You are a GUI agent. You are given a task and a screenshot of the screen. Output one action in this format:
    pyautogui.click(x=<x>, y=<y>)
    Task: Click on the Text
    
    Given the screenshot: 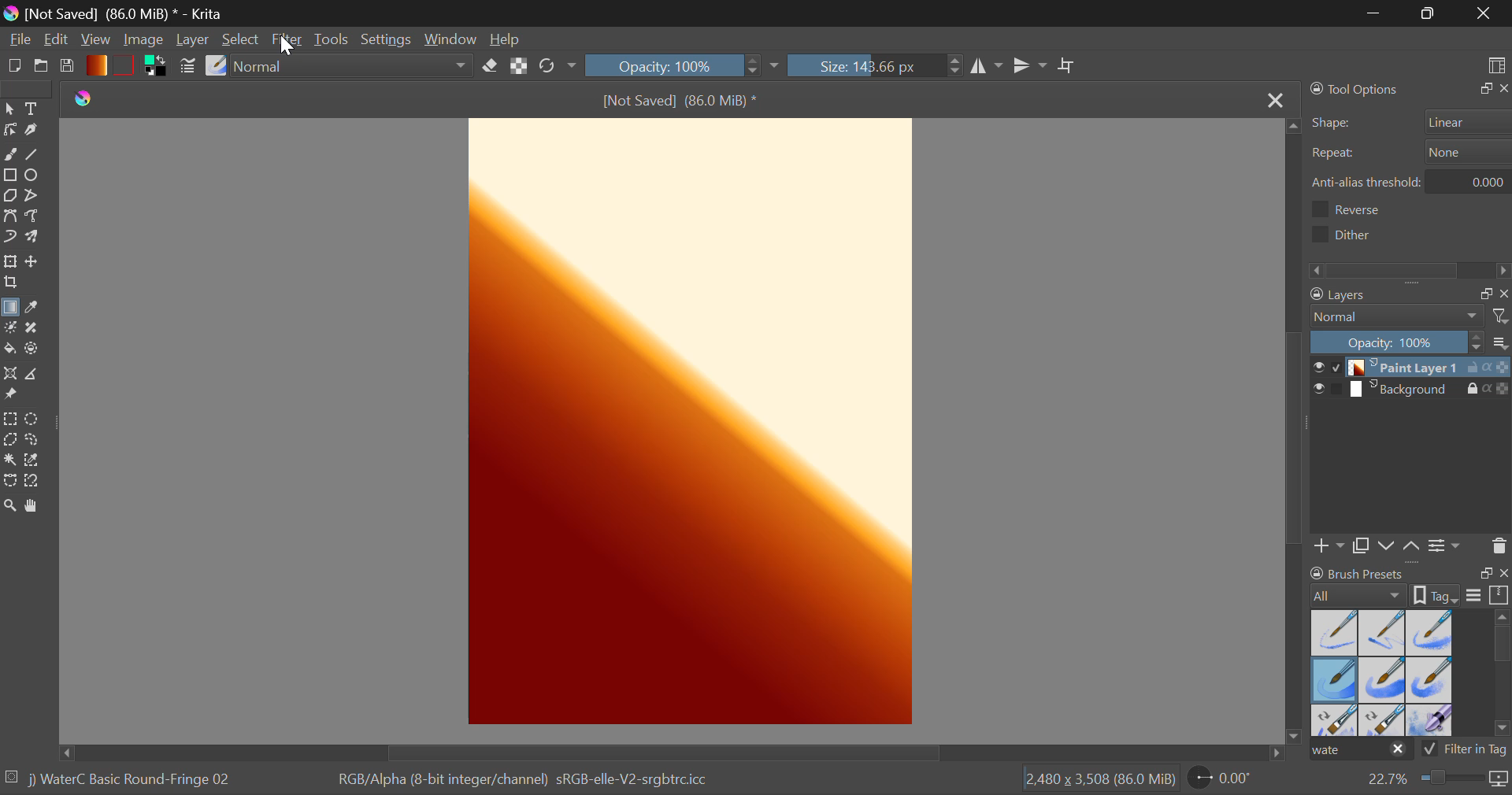 What is the action you would take?
    pyautogui.click(x=35, y=109)
    